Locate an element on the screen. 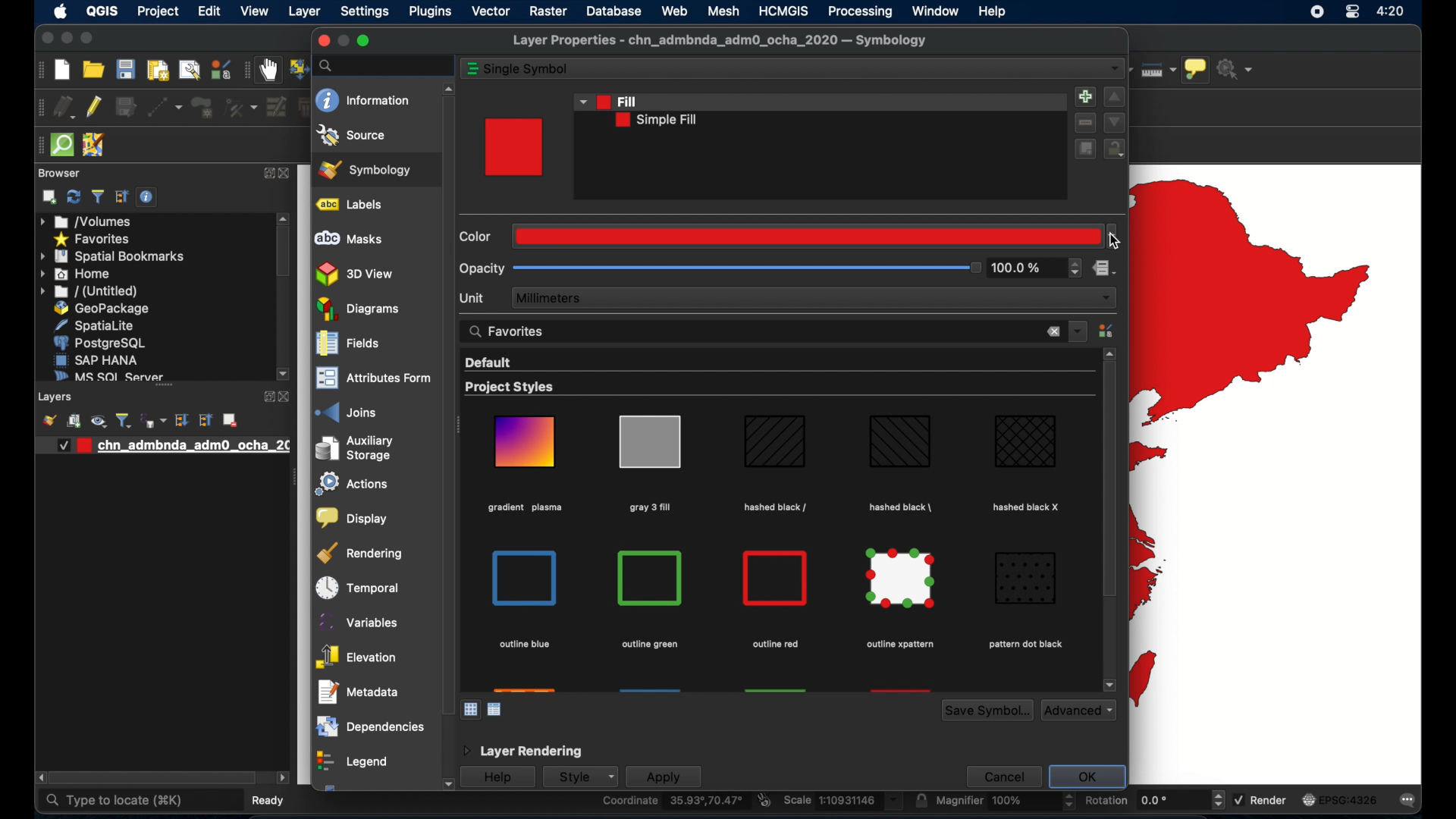 This screenshot has width=1456, height=819. opacity stepper buttons is located at coordinates (1037, 268).